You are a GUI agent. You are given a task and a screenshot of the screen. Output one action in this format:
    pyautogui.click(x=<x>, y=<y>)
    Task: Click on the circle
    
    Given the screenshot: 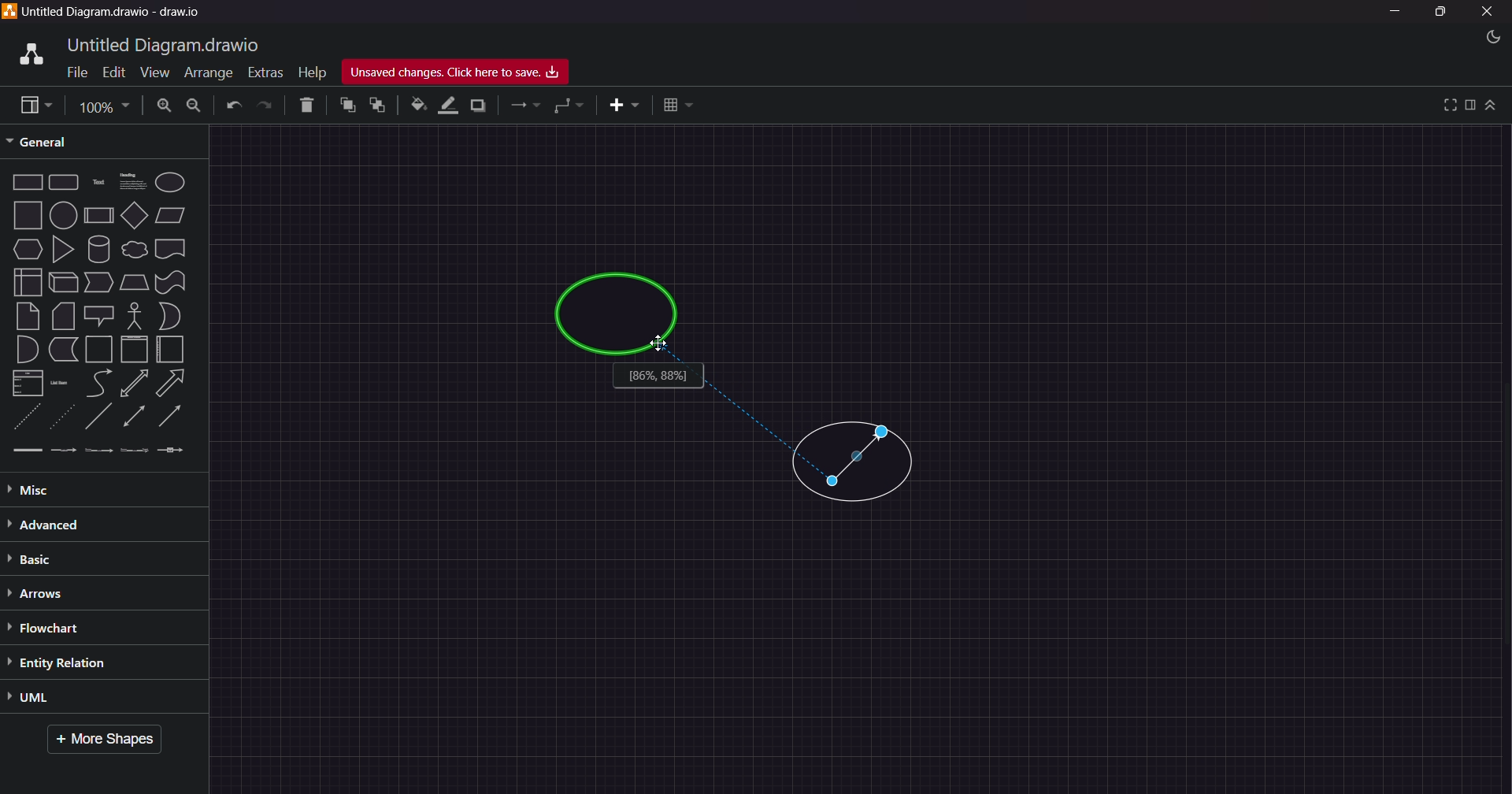 What is the action you would take?
    pyautogui.click(x=617, y=316)
    